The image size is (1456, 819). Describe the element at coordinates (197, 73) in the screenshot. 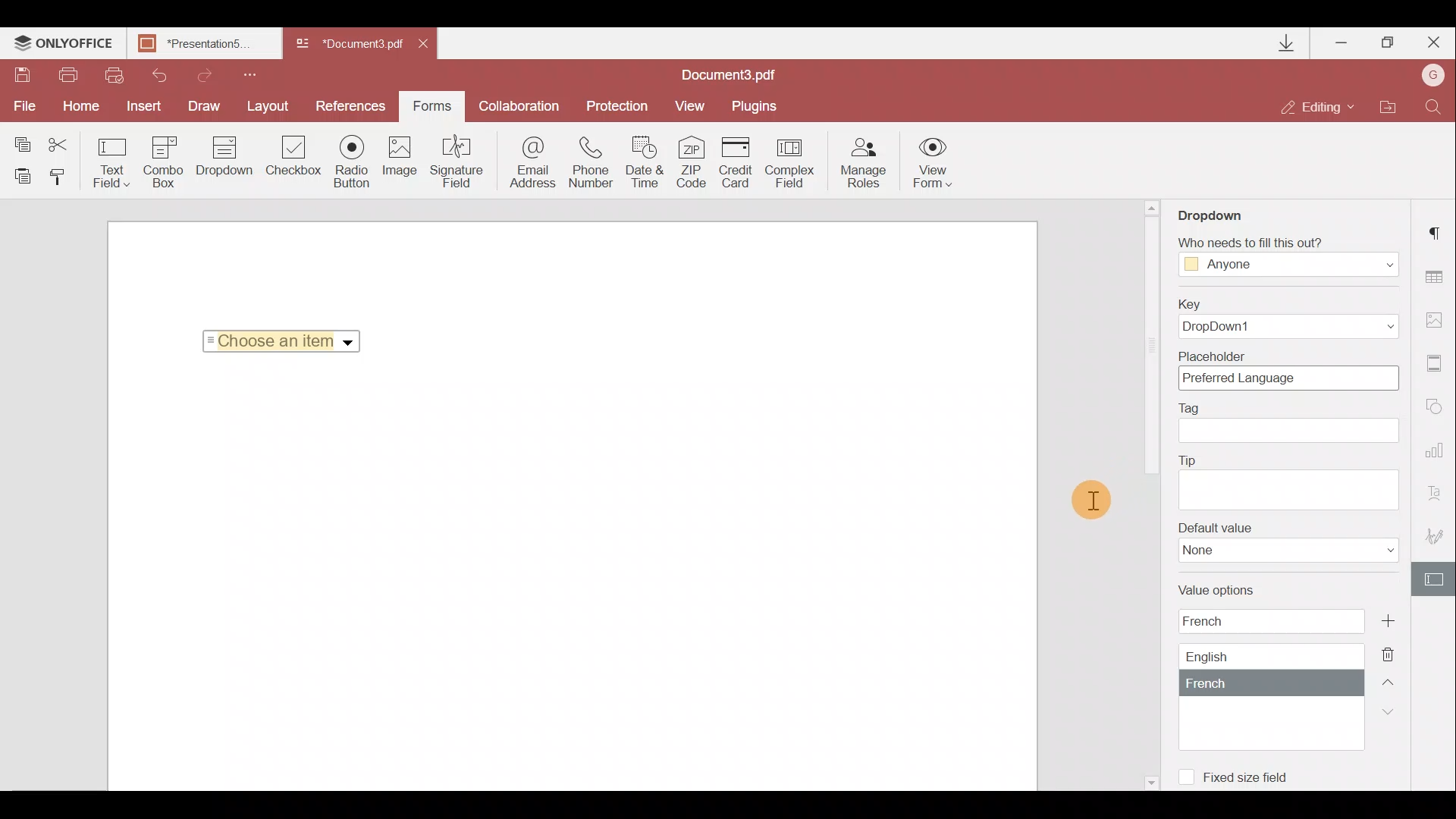

I see `Redo` at that location.